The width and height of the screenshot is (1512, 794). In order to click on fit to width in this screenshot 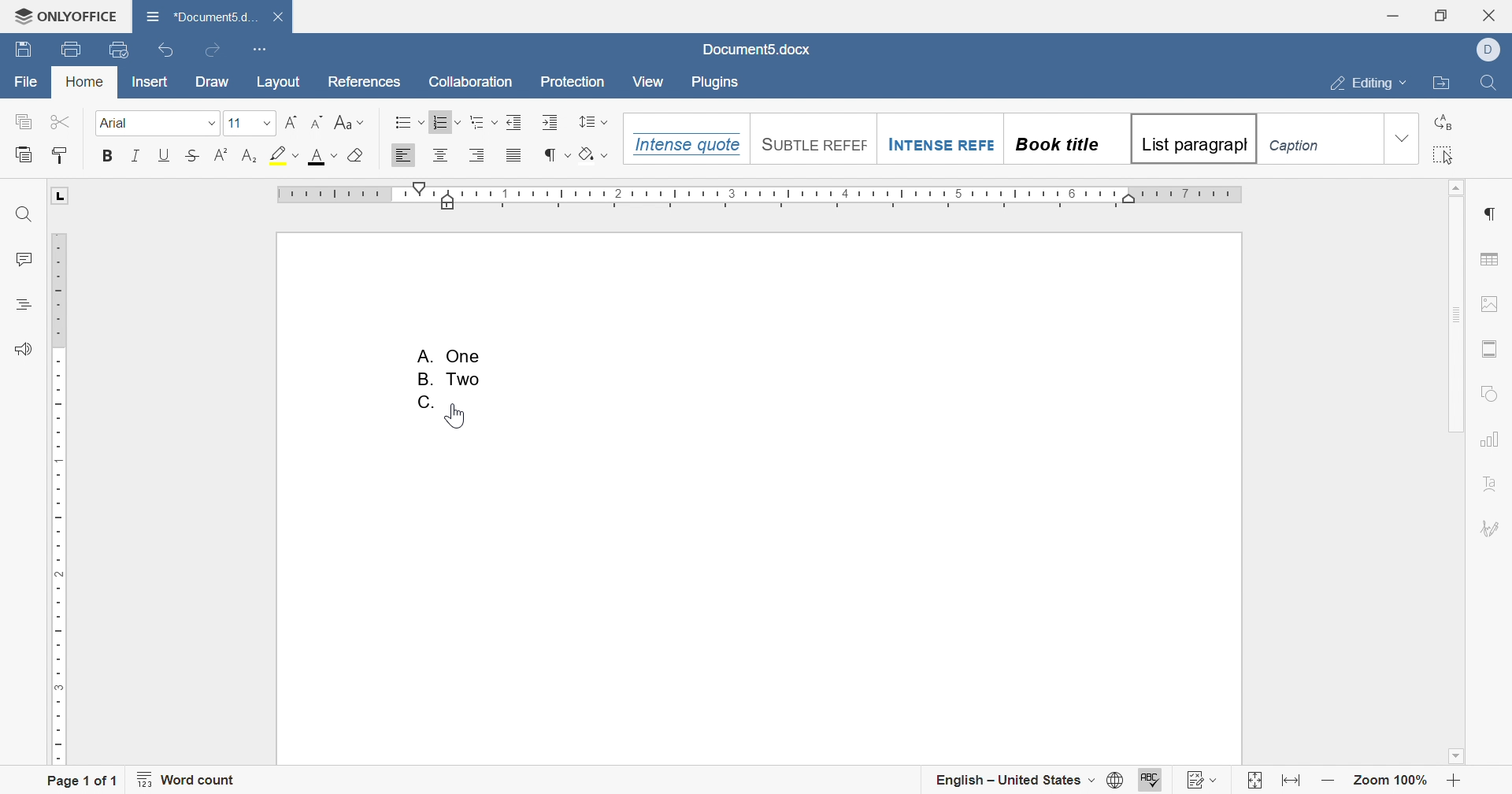, I will do `click(1293, 783)`.